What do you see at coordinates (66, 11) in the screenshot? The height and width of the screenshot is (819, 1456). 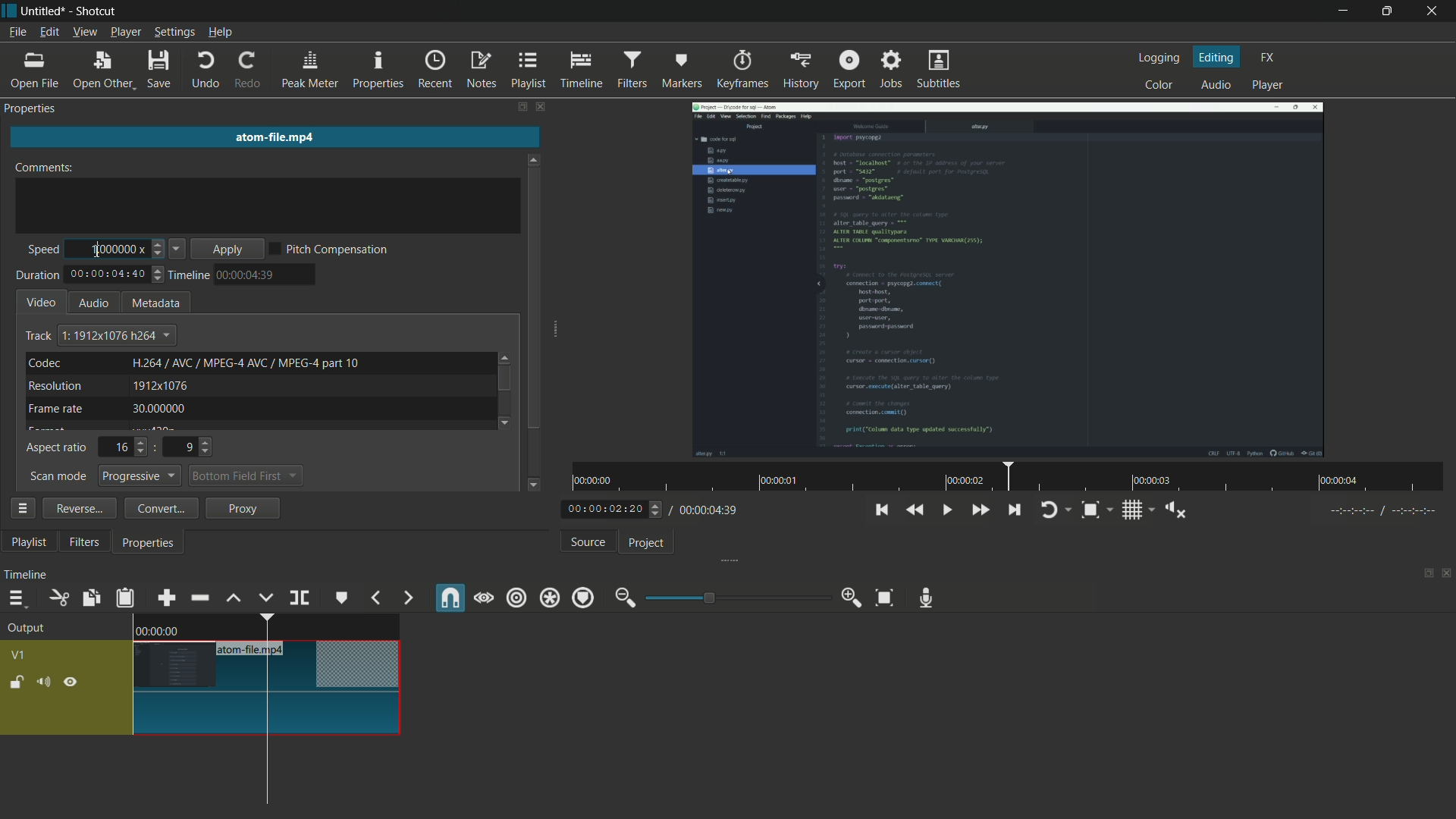 I see `~ Untitled* - Shotcut` at bounding box center [66, 11].